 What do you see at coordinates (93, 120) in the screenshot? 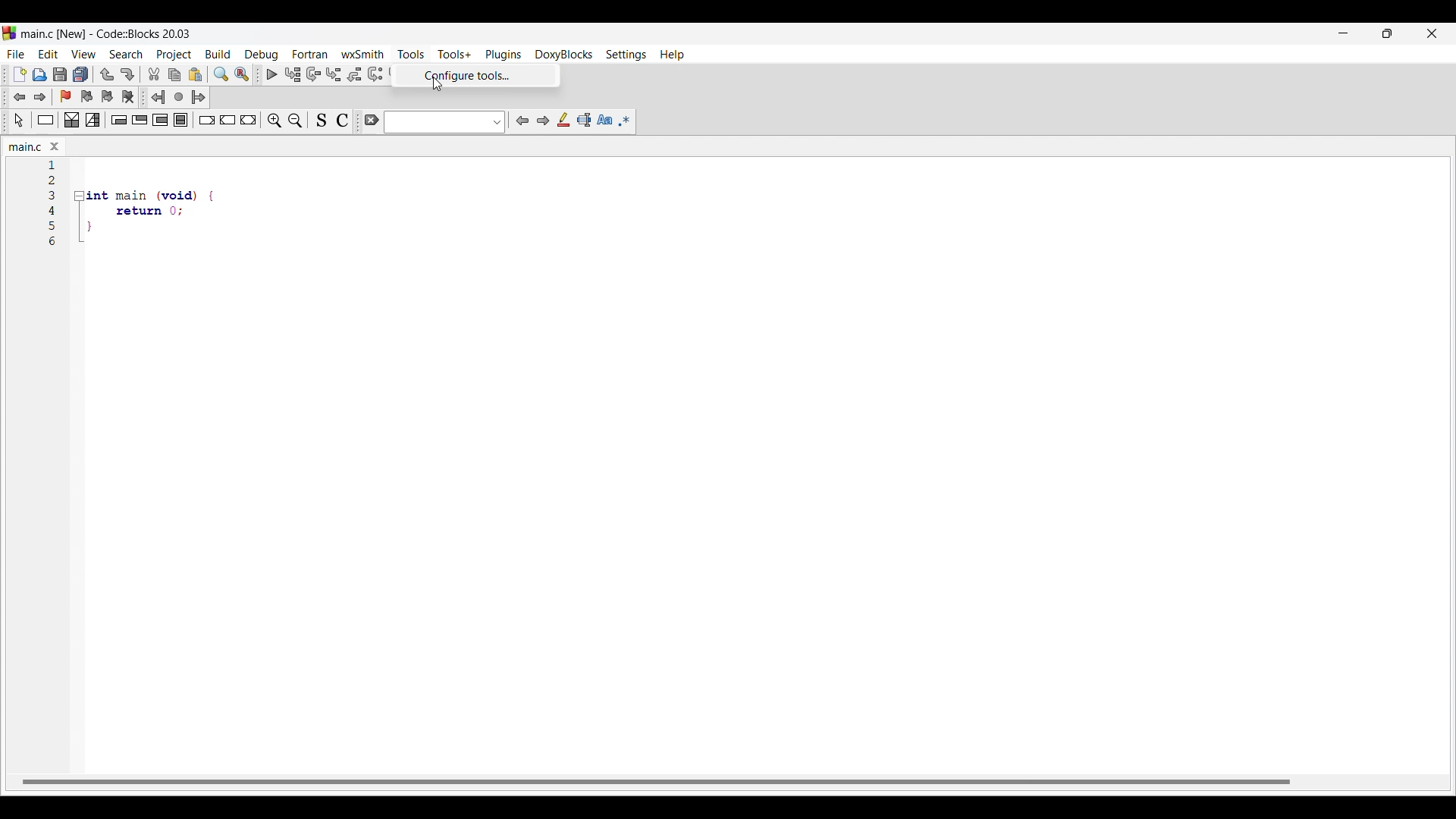
I see `Selection` at bounding box center [93, 120].